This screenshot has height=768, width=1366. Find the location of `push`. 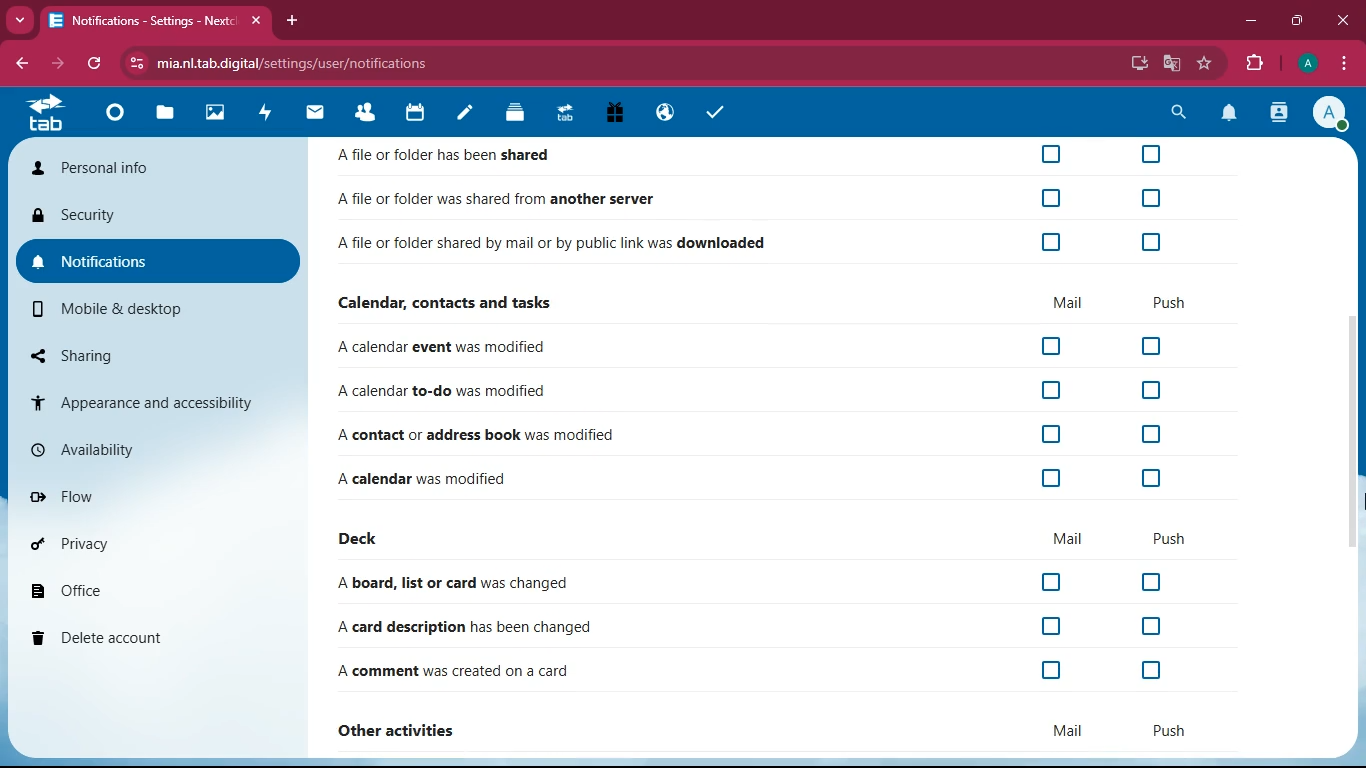

push is located at coordinates (1162, 304).